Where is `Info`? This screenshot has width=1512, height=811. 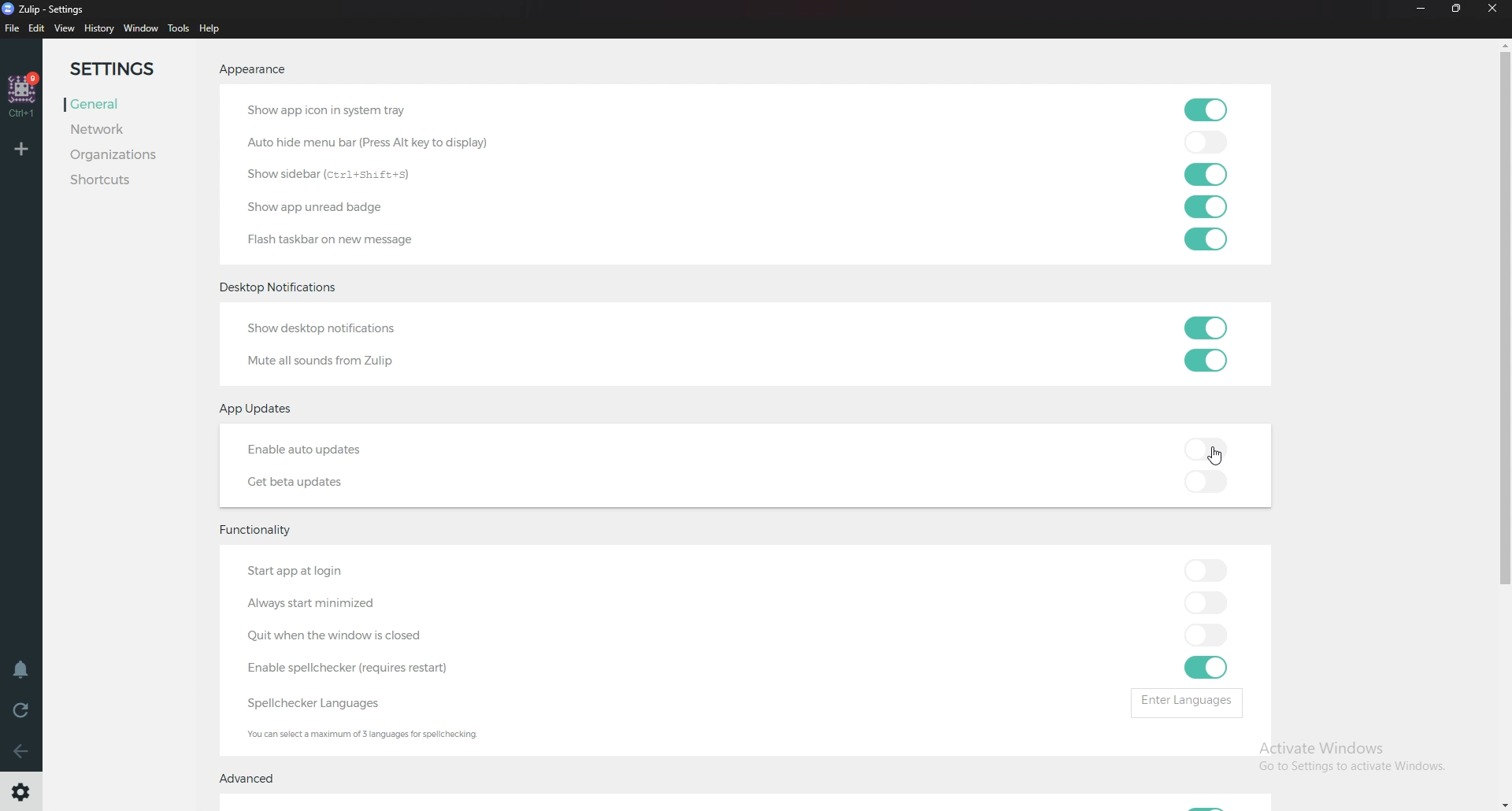
Info is located at coordinates (384, 735).